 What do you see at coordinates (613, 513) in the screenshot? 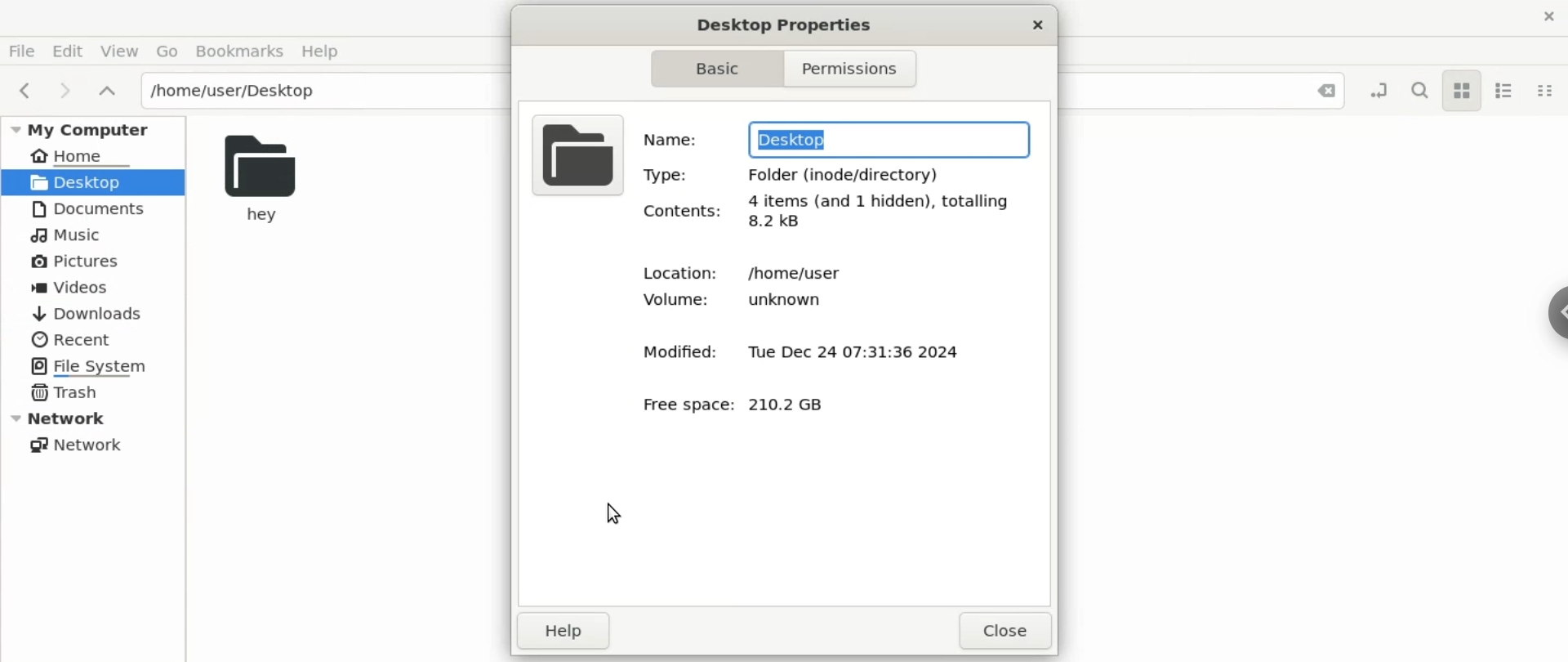
I see `cursor` at bounding box center [613, 513].